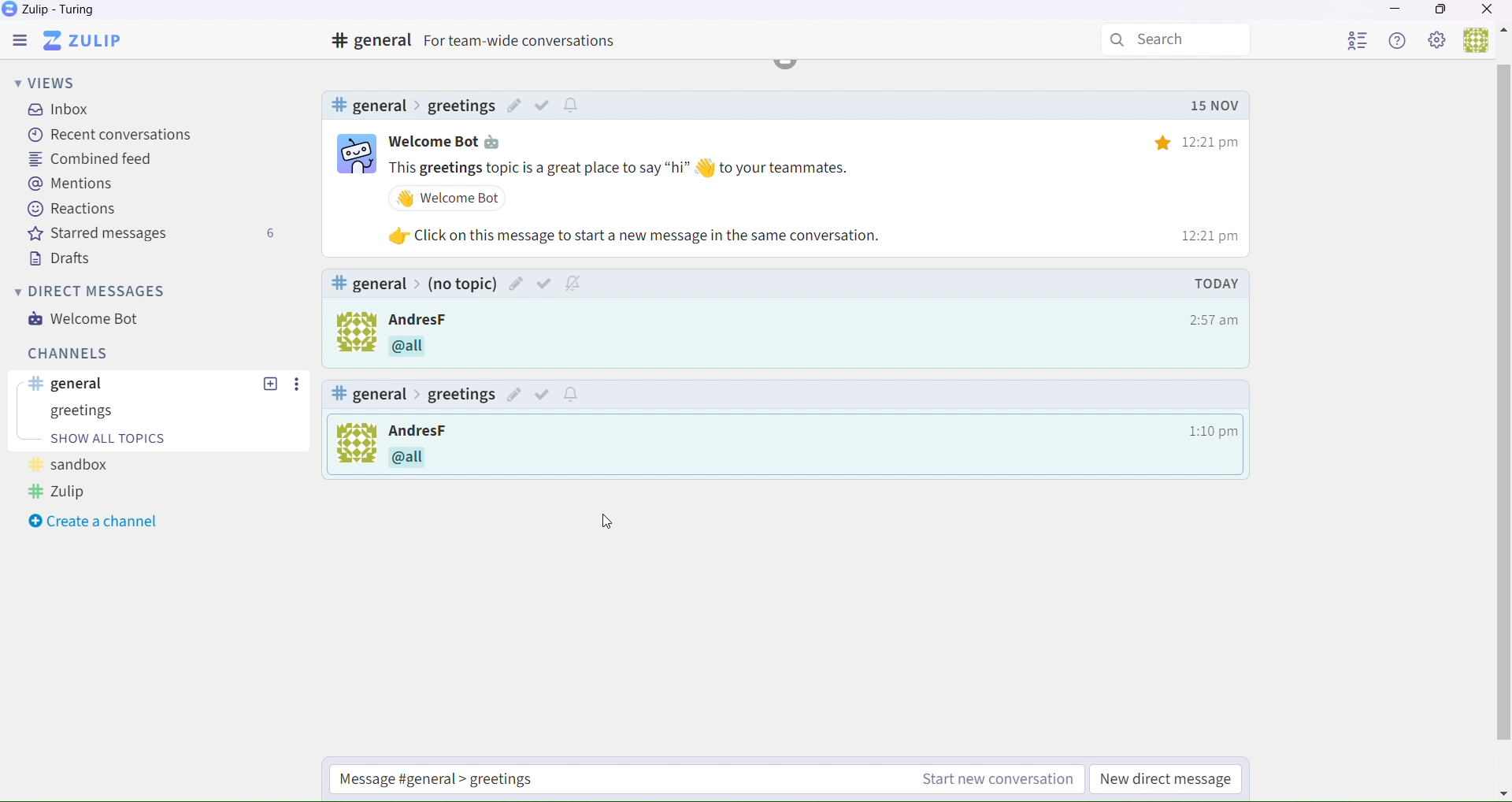  Describe the element at coordinates (1359, 41) in the screenshot. I see `User List` at that location.